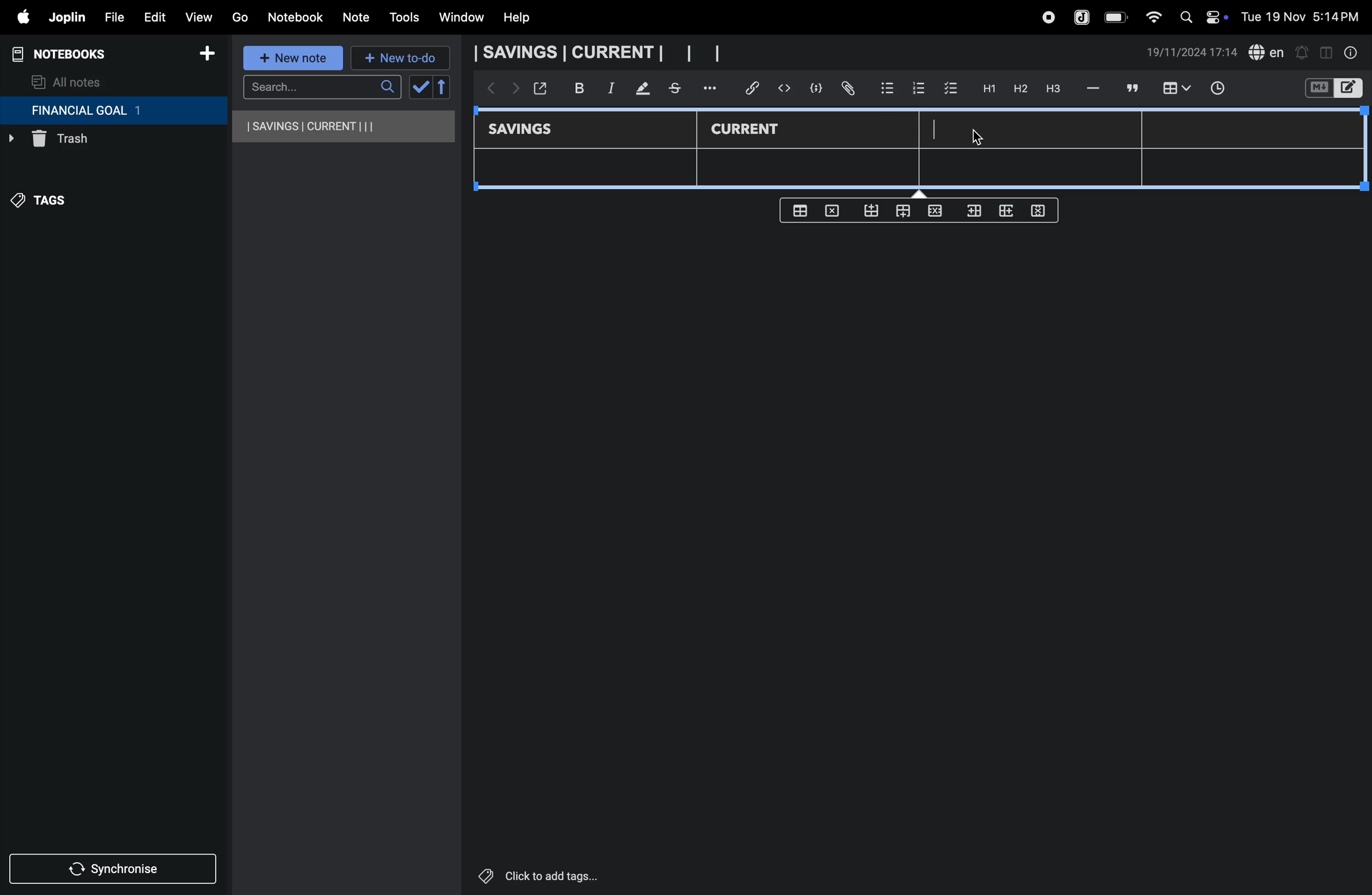  Describe the element at coordinates (1352, 52) in the screenshot. I see `info` at that location.